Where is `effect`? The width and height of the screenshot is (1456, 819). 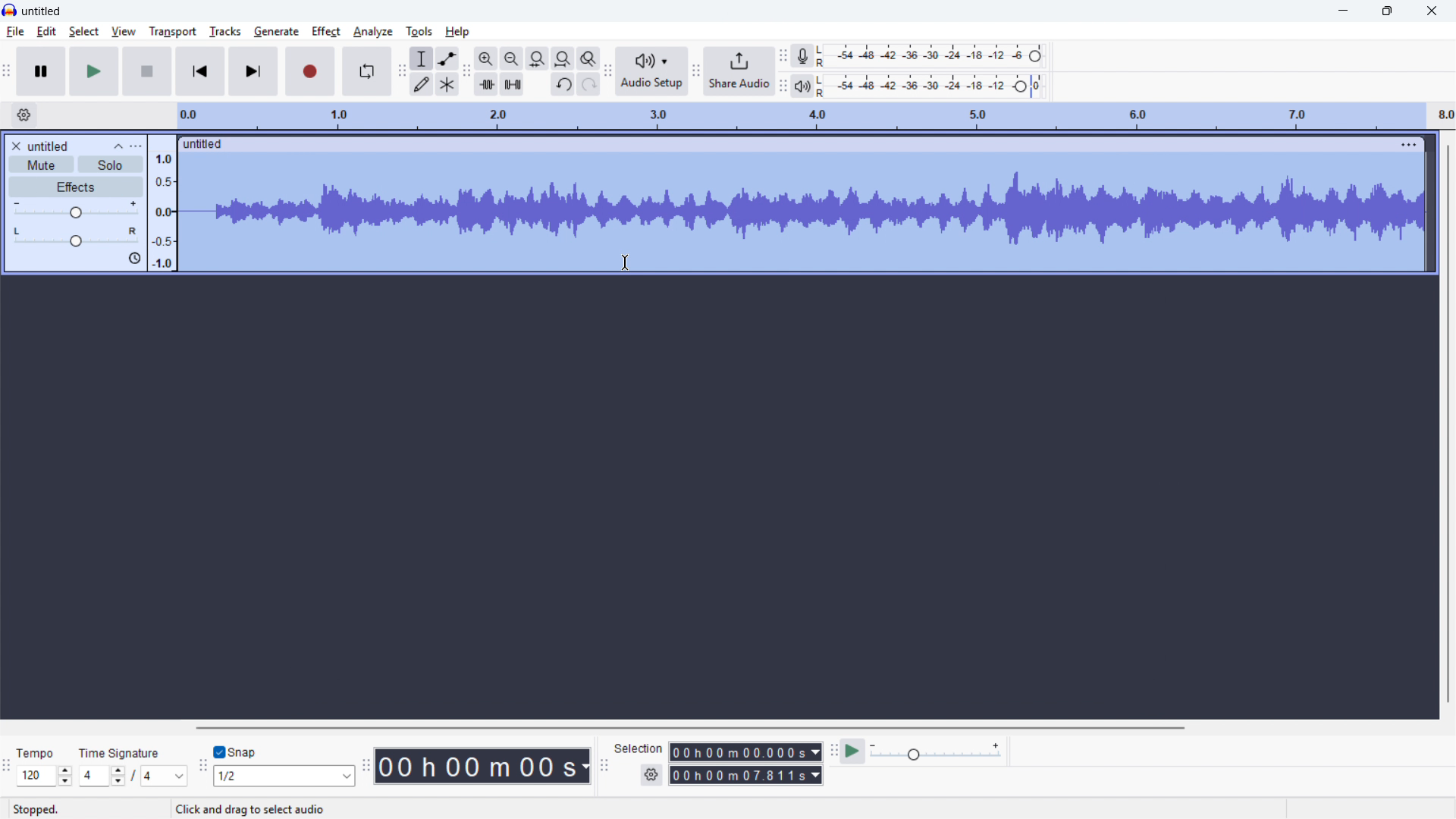
effect is located at coordinates (325, 30).